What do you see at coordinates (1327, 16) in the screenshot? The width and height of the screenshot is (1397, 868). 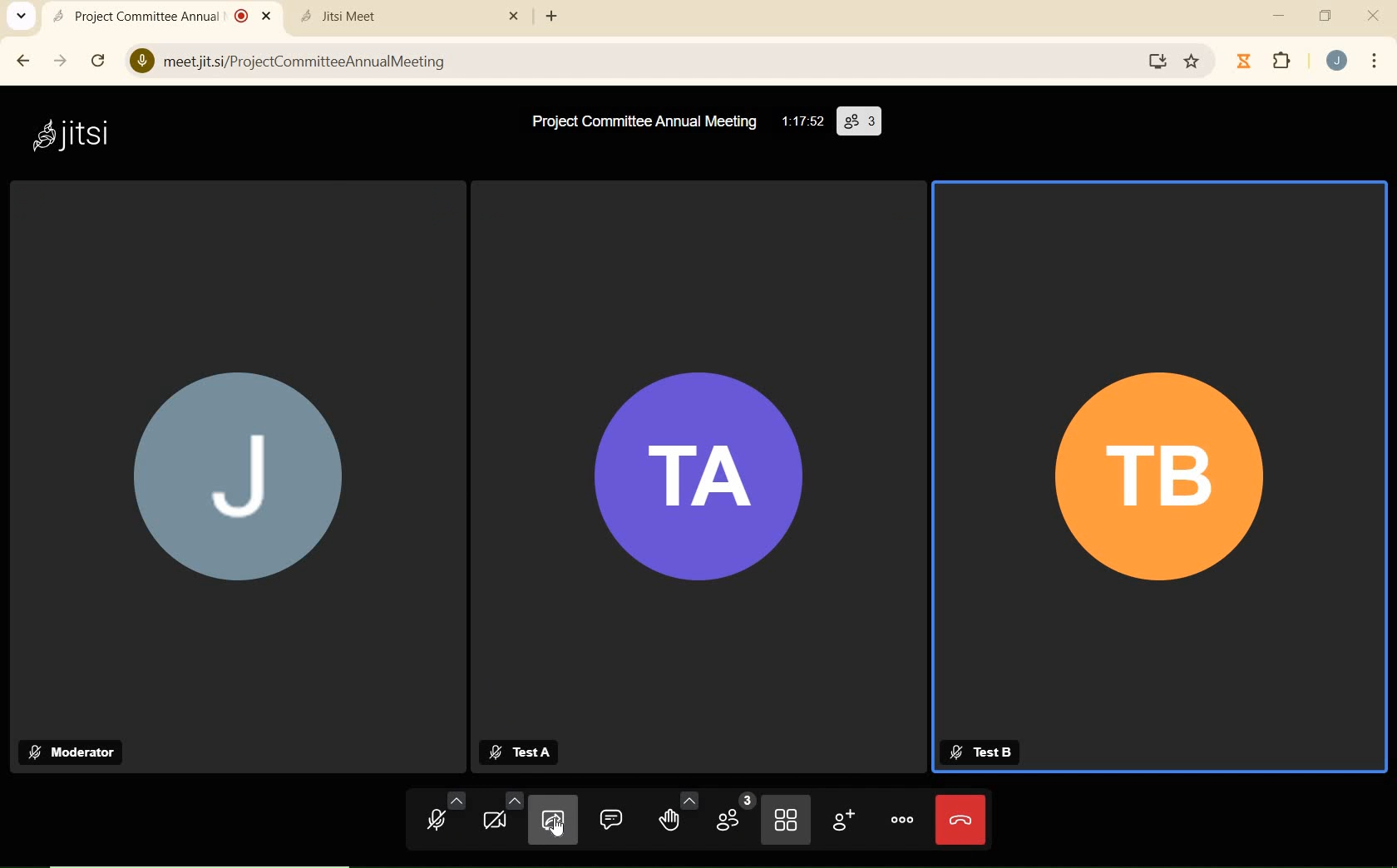 I see `restore down` at bounding box center [1327, 16].